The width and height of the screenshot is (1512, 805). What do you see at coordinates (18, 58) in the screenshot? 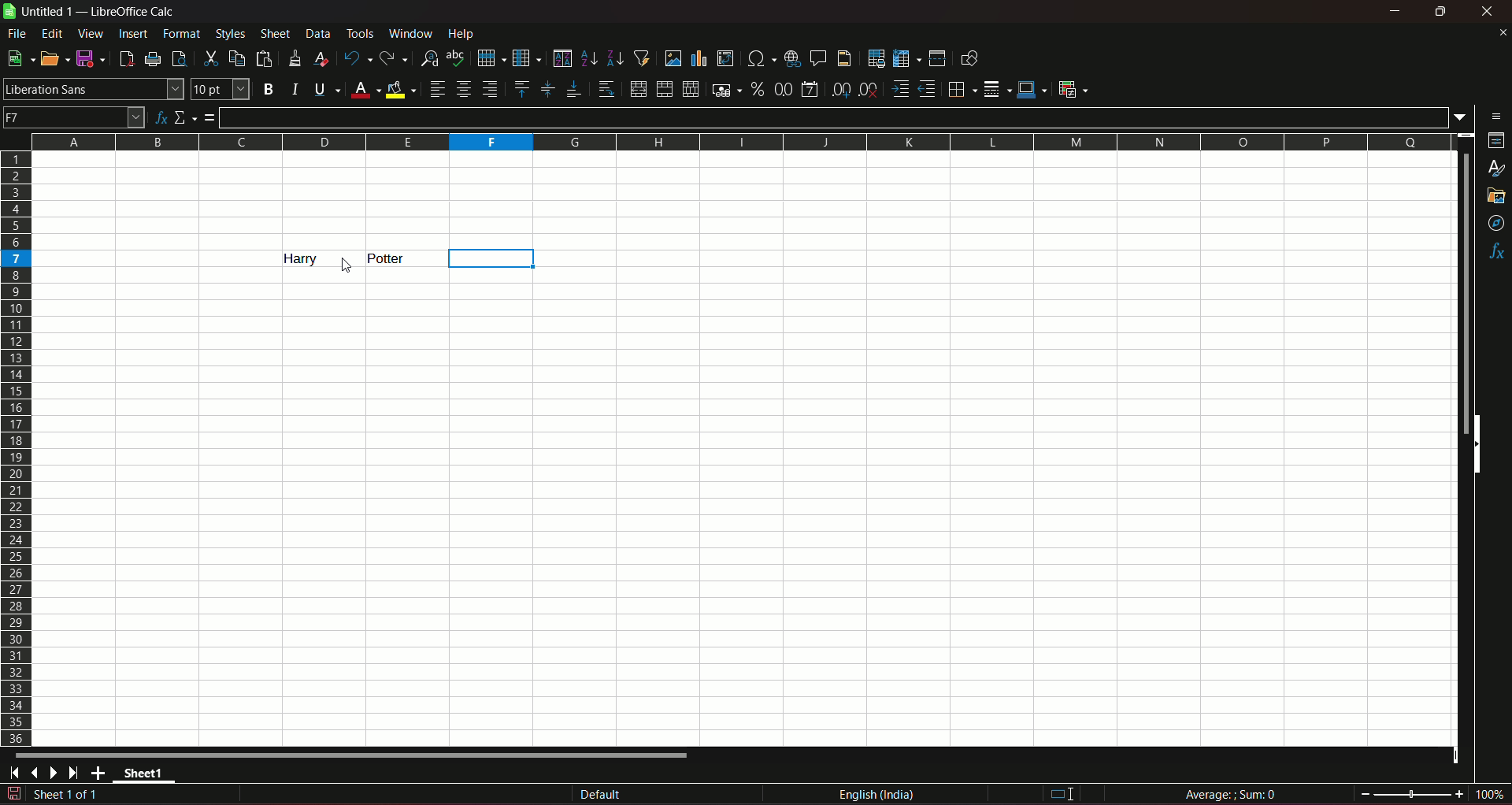
I see `new` at bounding box center [18, 58].